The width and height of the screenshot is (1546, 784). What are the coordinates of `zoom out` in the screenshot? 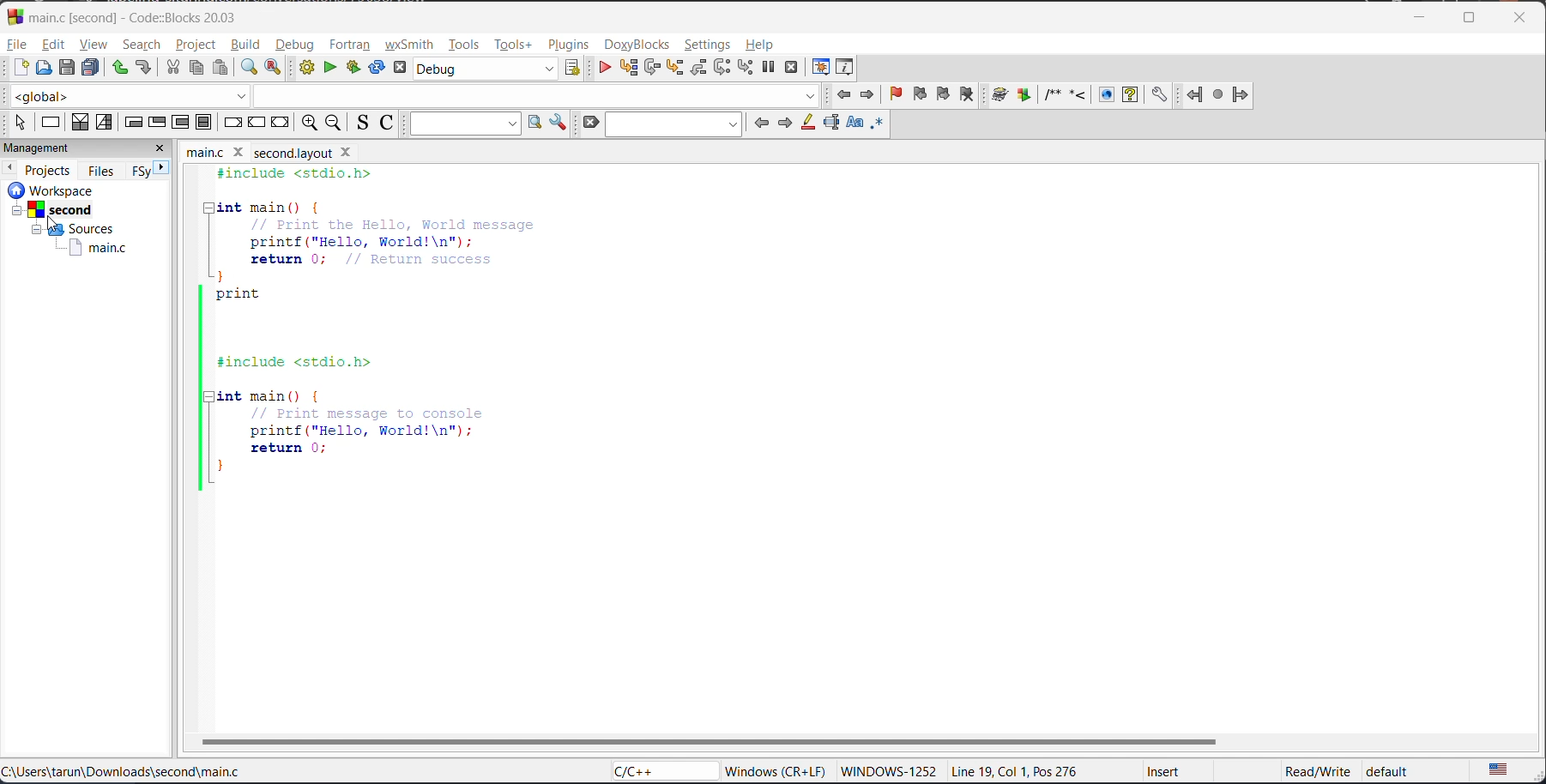 It's located at (336, 124).